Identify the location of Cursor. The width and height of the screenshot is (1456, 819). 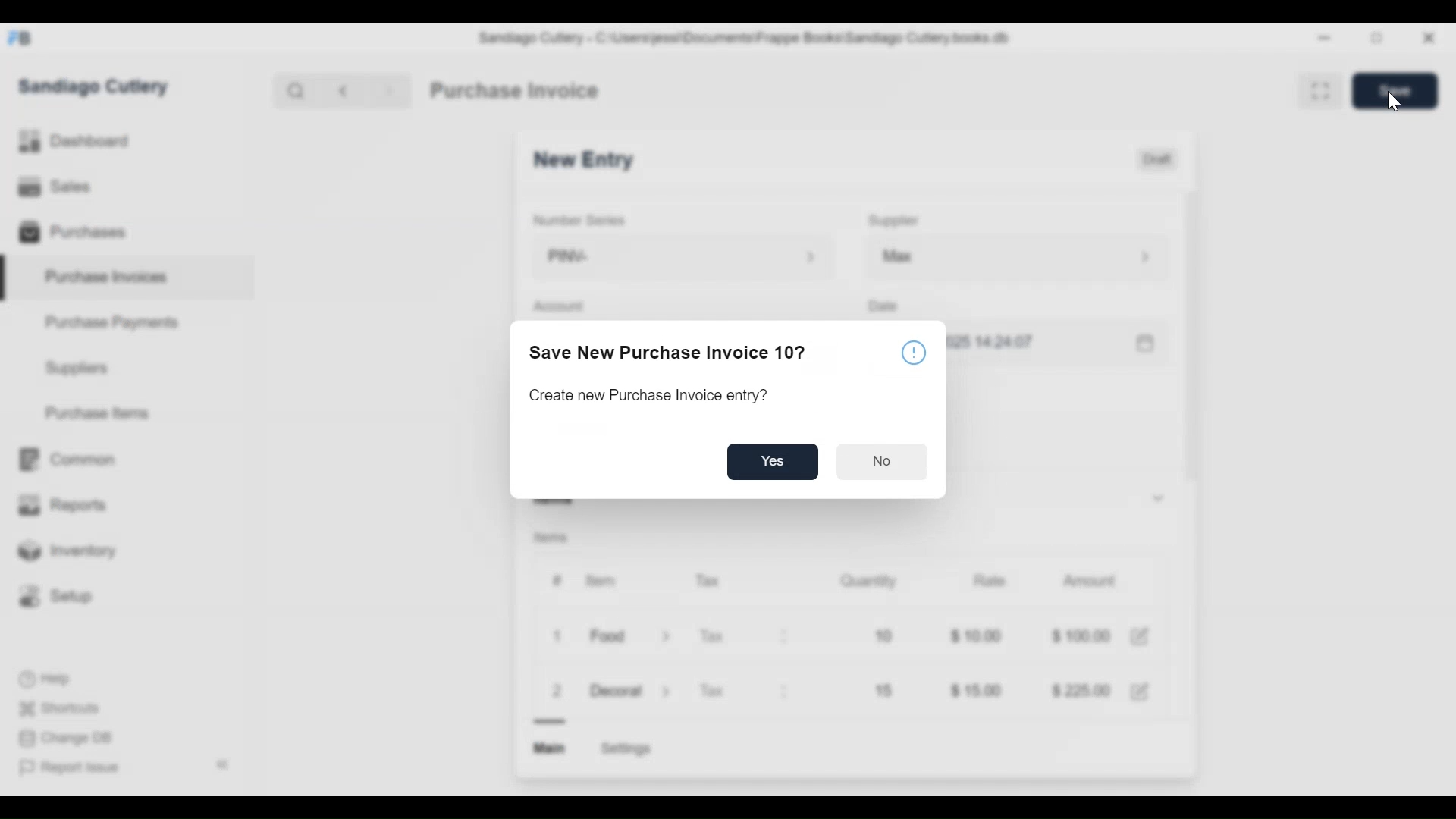
(1393, 102).